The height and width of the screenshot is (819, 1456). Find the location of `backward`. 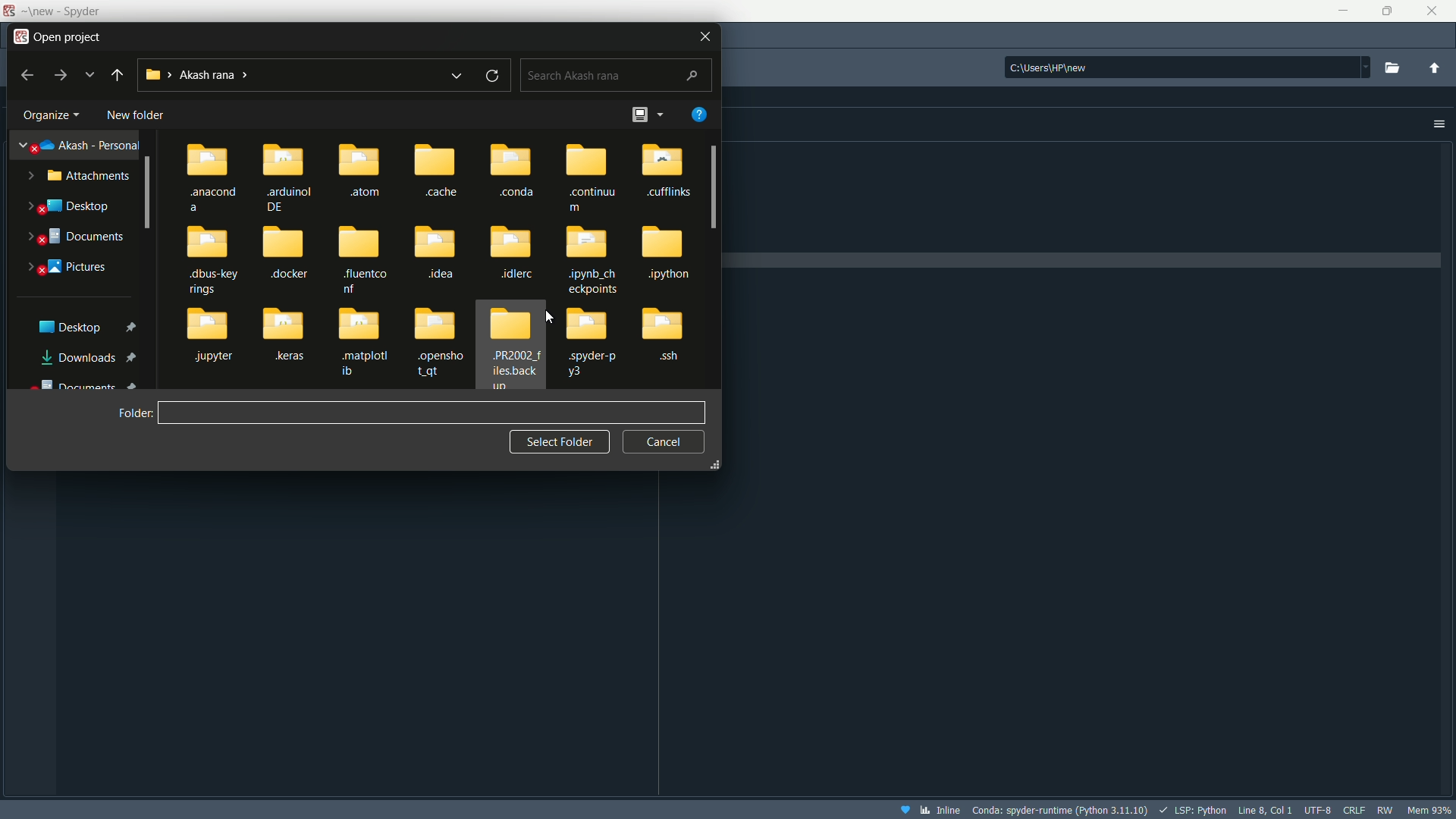

backward is located at coordinates (25, 74).